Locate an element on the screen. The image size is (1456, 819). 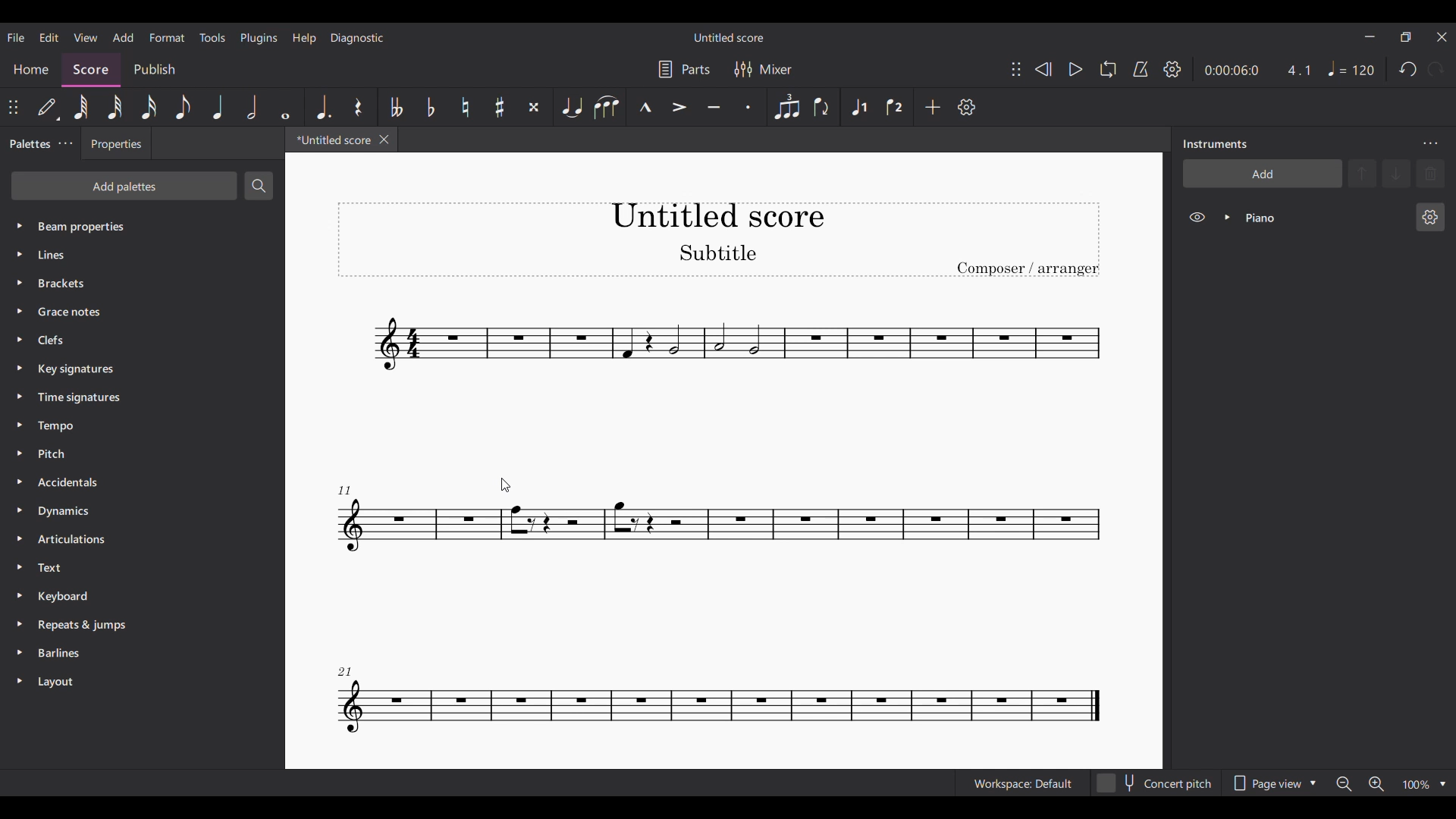
Move selected instrument down is located at coordinates (1396, 173).